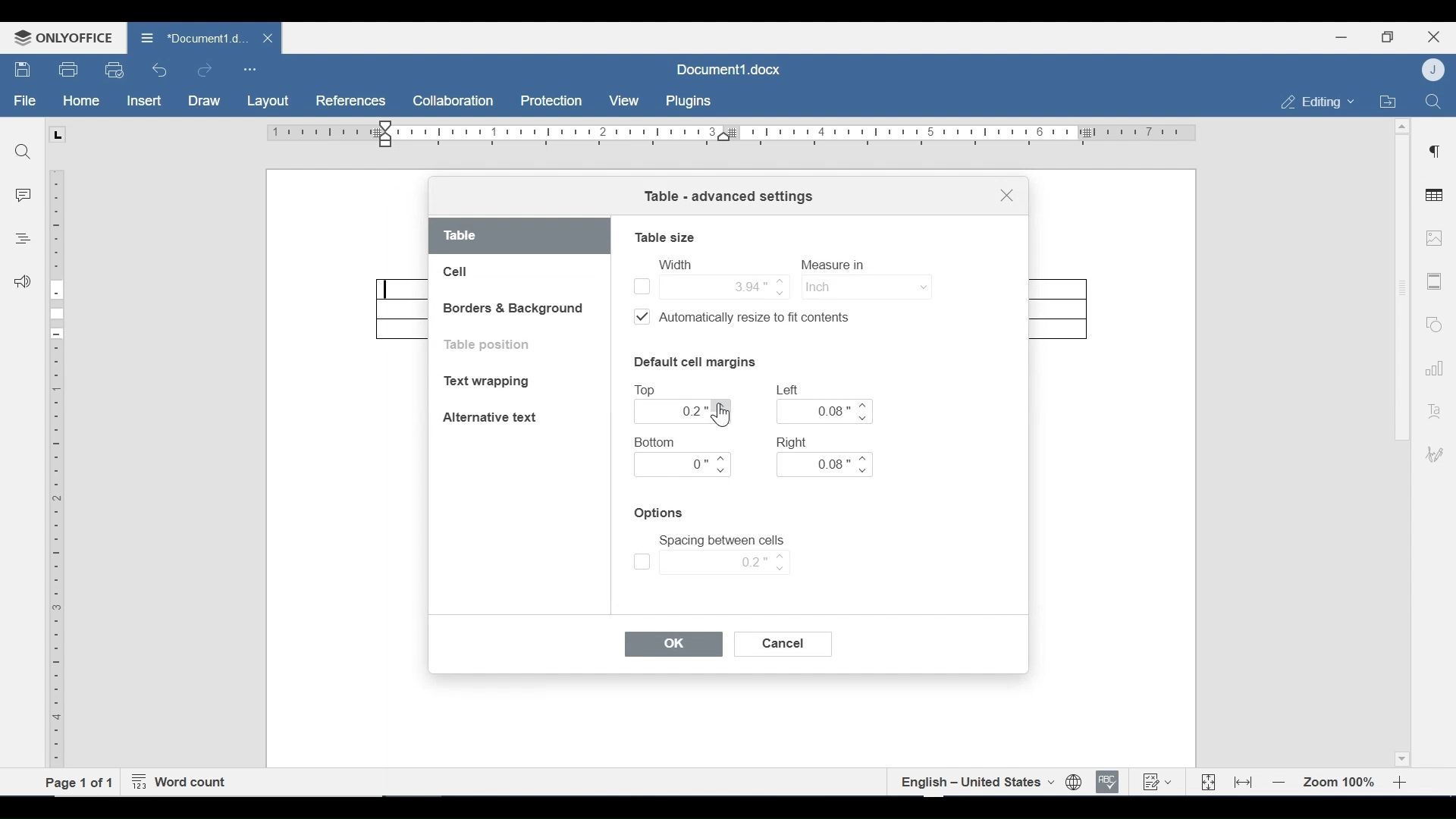 The image size is (1456, 819). What do you see at coordinates (785, 644) in the screenshot?
I see `Cancel` at bounding box center [785, 644].